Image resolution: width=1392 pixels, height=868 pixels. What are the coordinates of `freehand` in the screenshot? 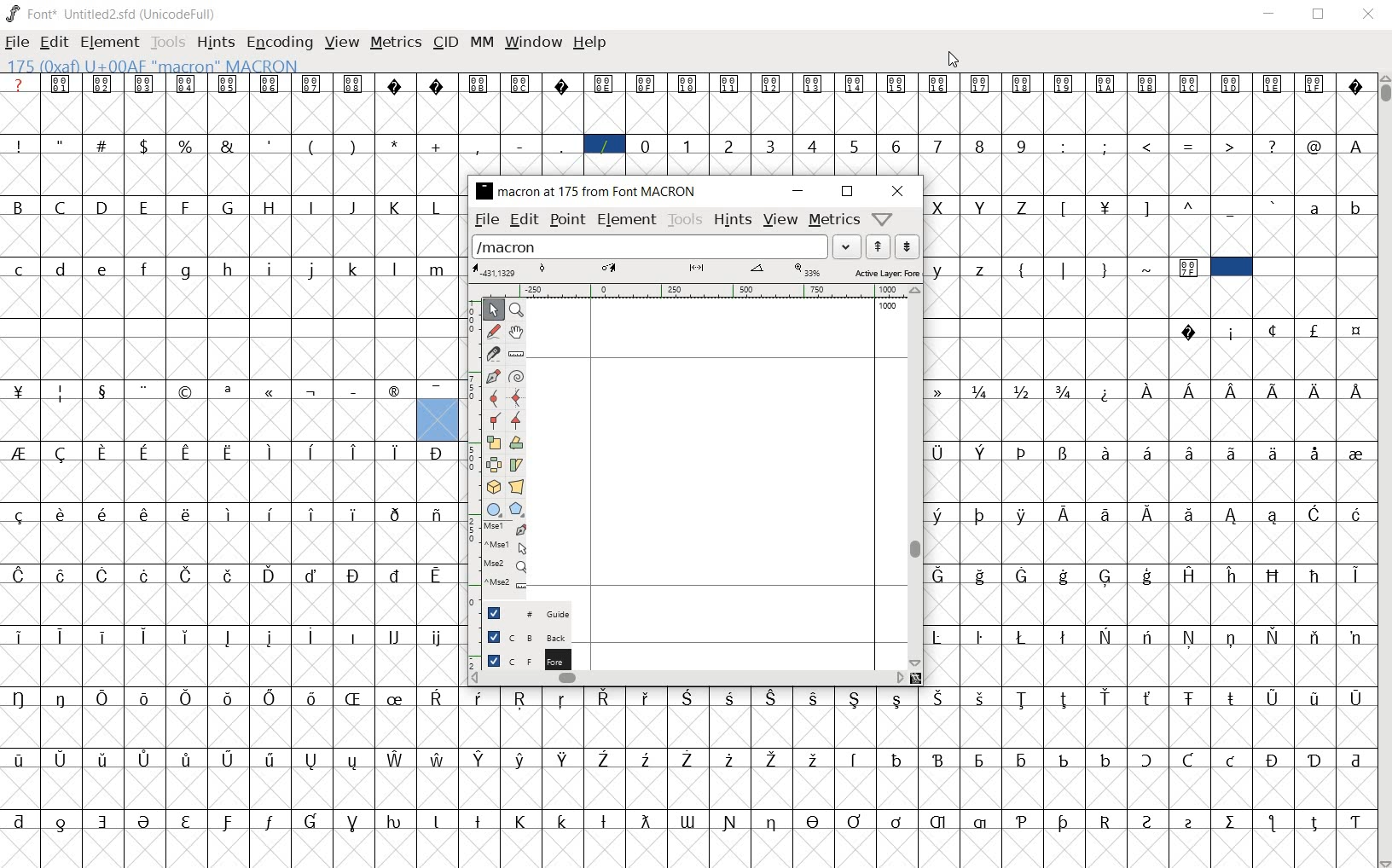 It's located at (491, 331).